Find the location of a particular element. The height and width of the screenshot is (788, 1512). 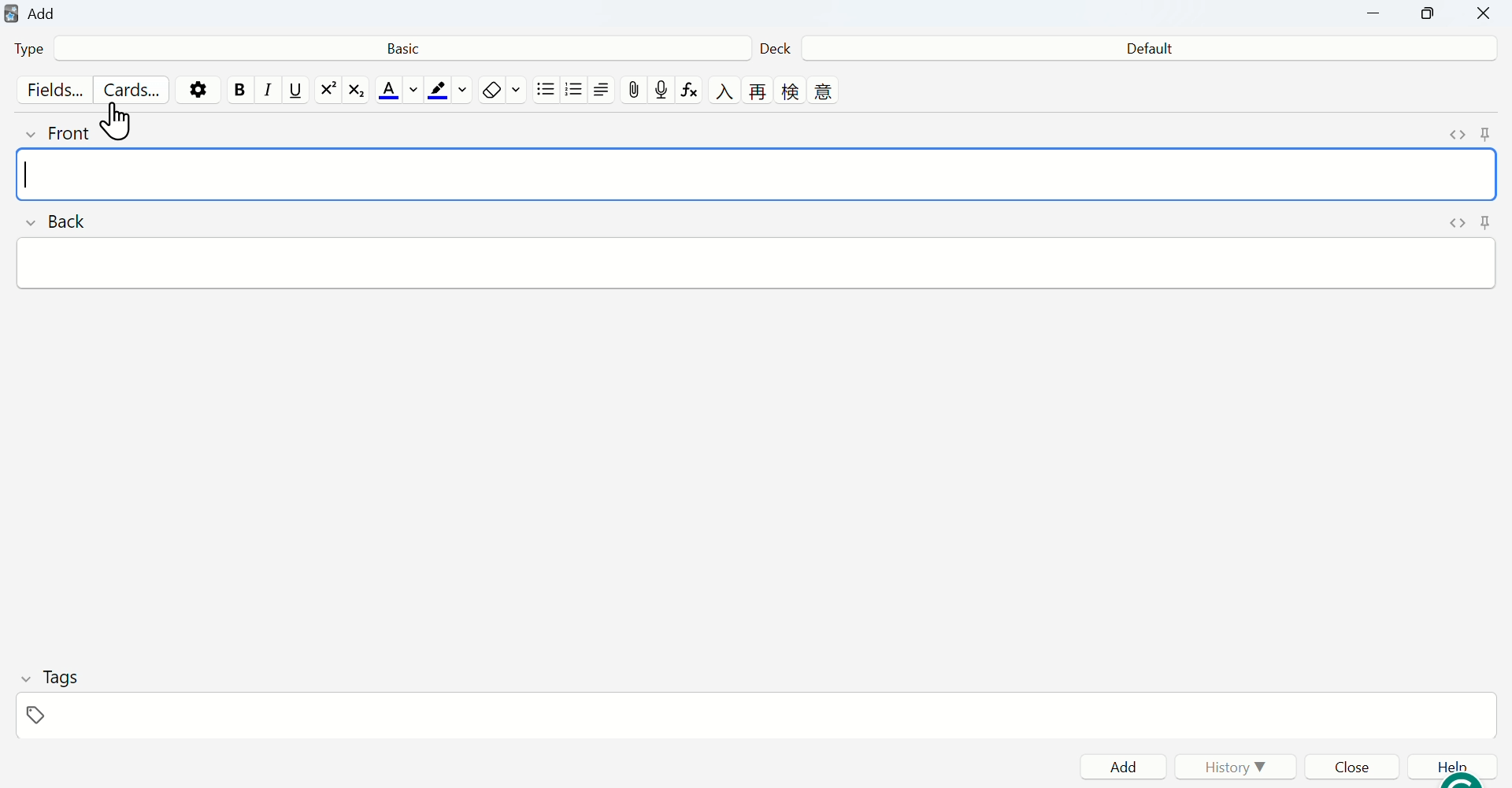

back input field is located at coordinates (756, 262).